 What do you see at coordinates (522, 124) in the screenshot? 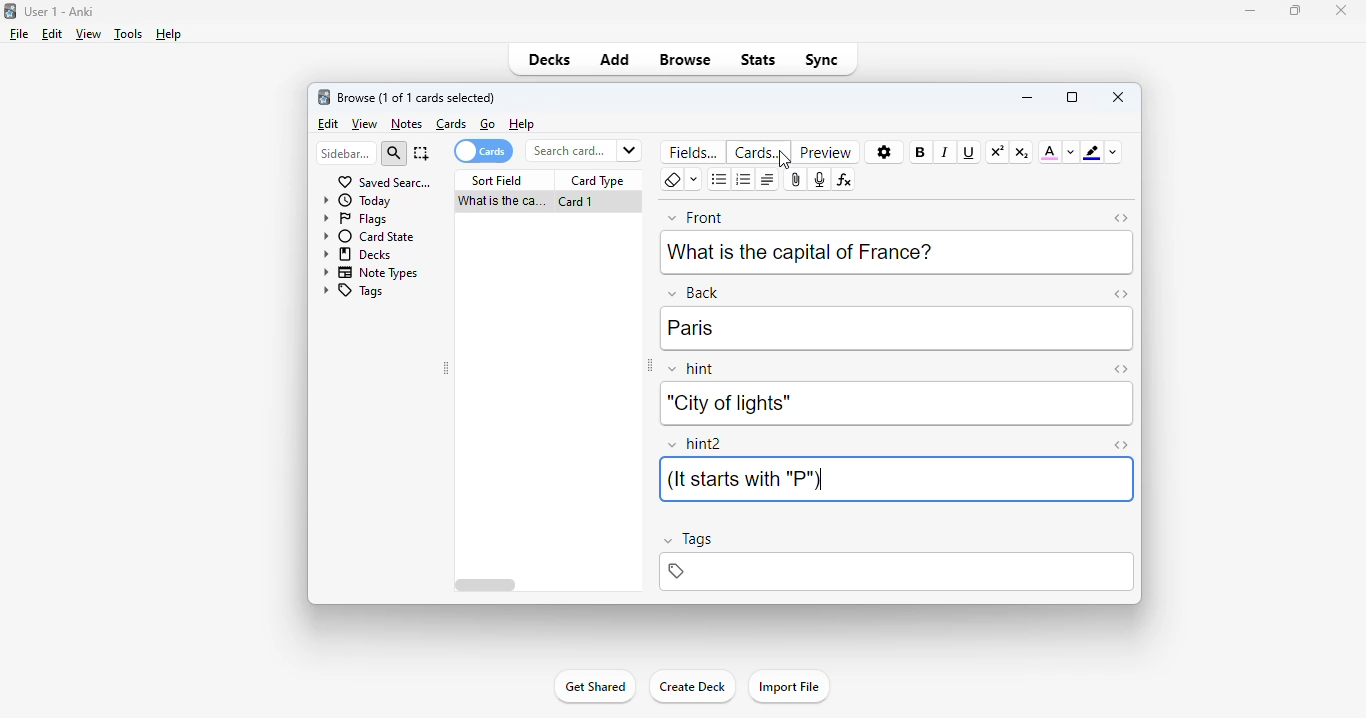
I see `help` at bounding box center [522, 124].